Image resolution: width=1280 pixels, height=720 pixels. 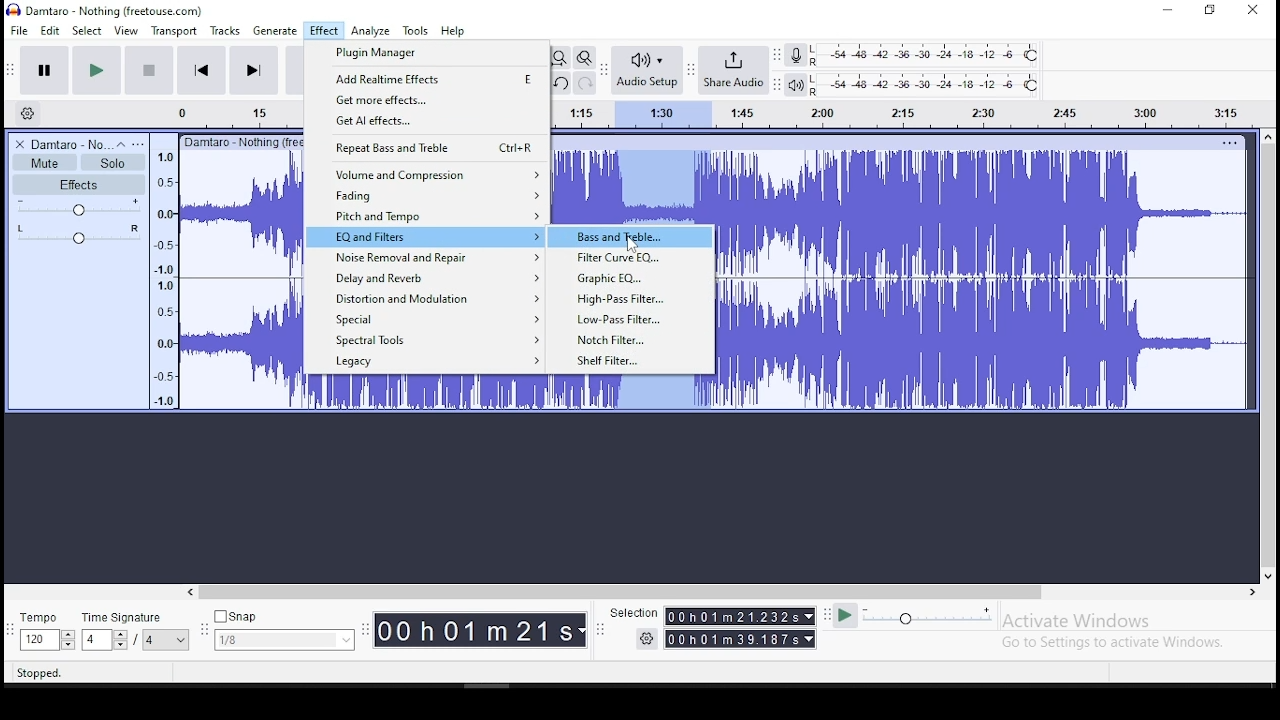 I want to click on shelf filter, so click(x=632, y=362).